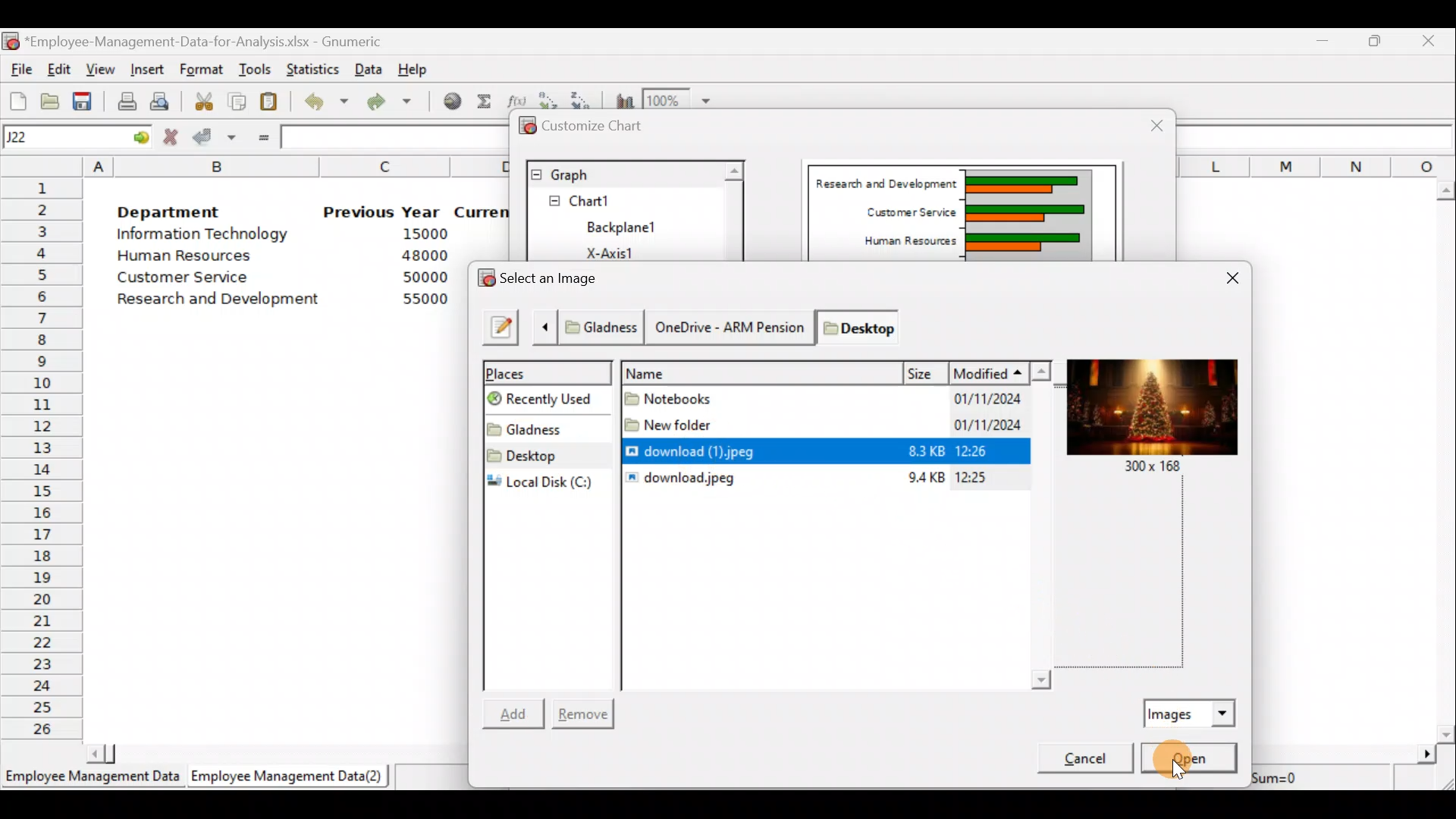 The height and width of the screenshot is (819, 1456). What do you see at coordinates (42, 460) in the screenshot?
I see `Rows` at bounding box center [42, 460].